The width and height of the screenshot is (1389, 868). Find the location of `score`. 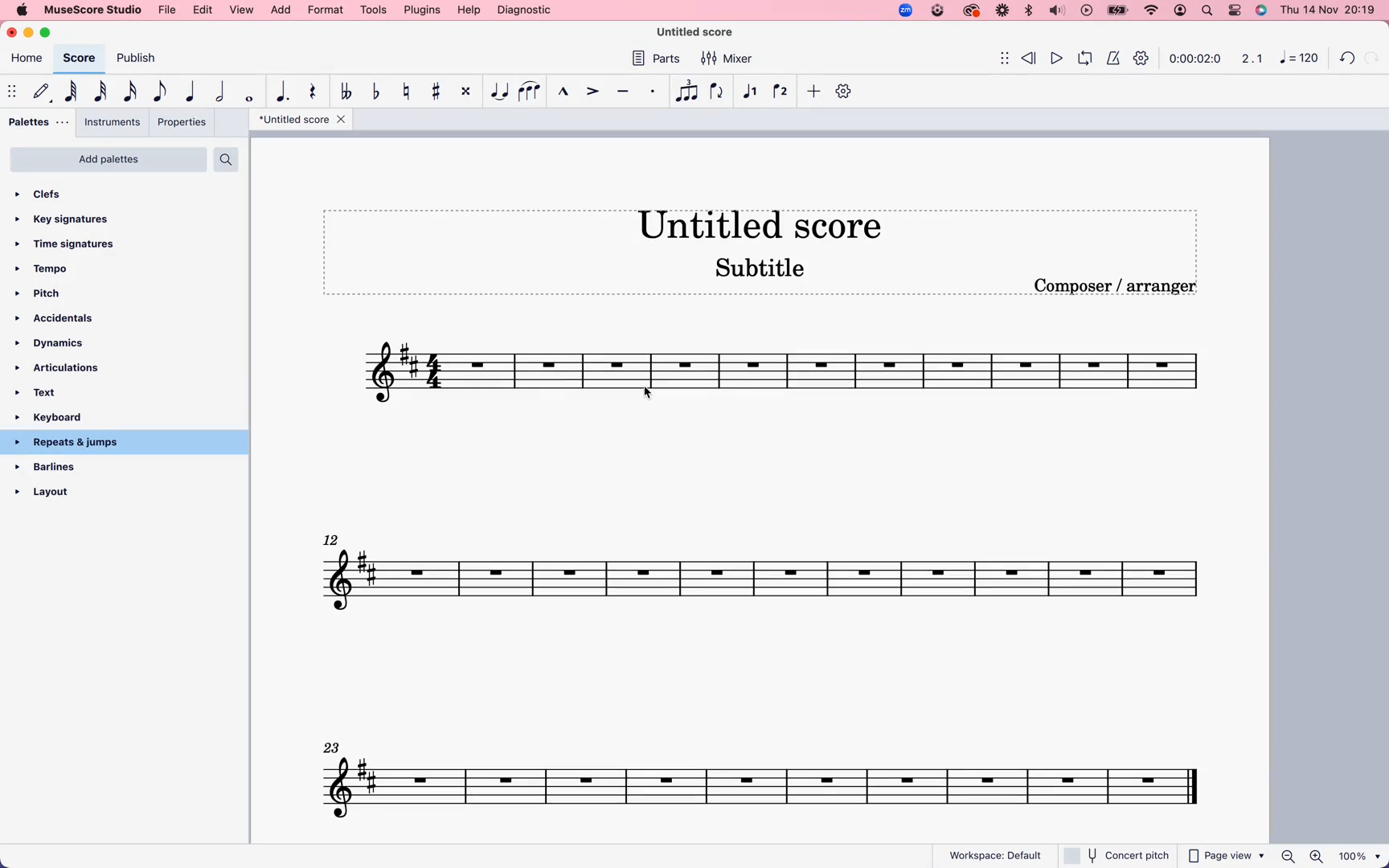

score is located at coordinates (79, 58).